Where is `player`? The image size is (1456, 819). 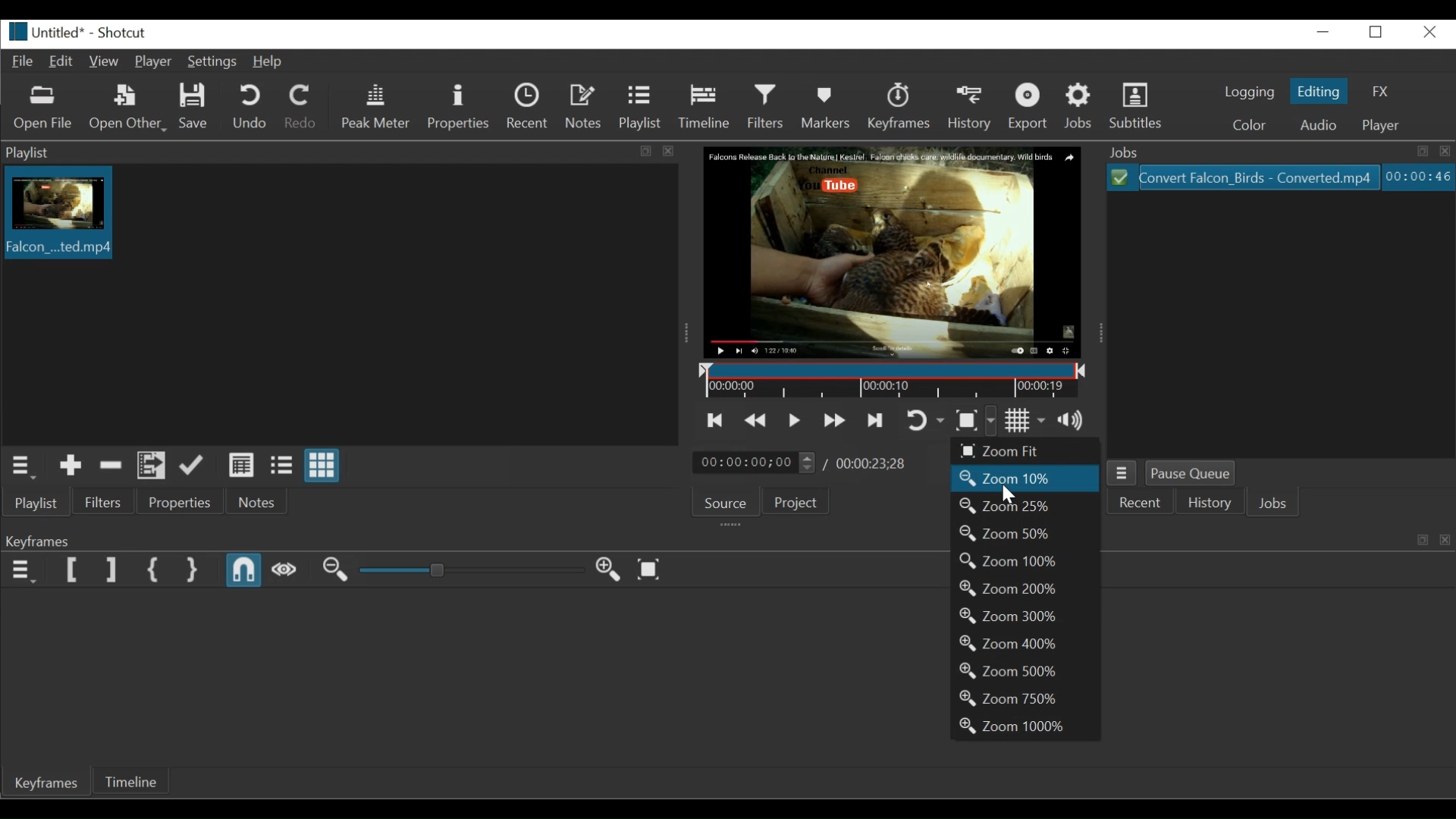
player is located at coordinates (1379, 125).